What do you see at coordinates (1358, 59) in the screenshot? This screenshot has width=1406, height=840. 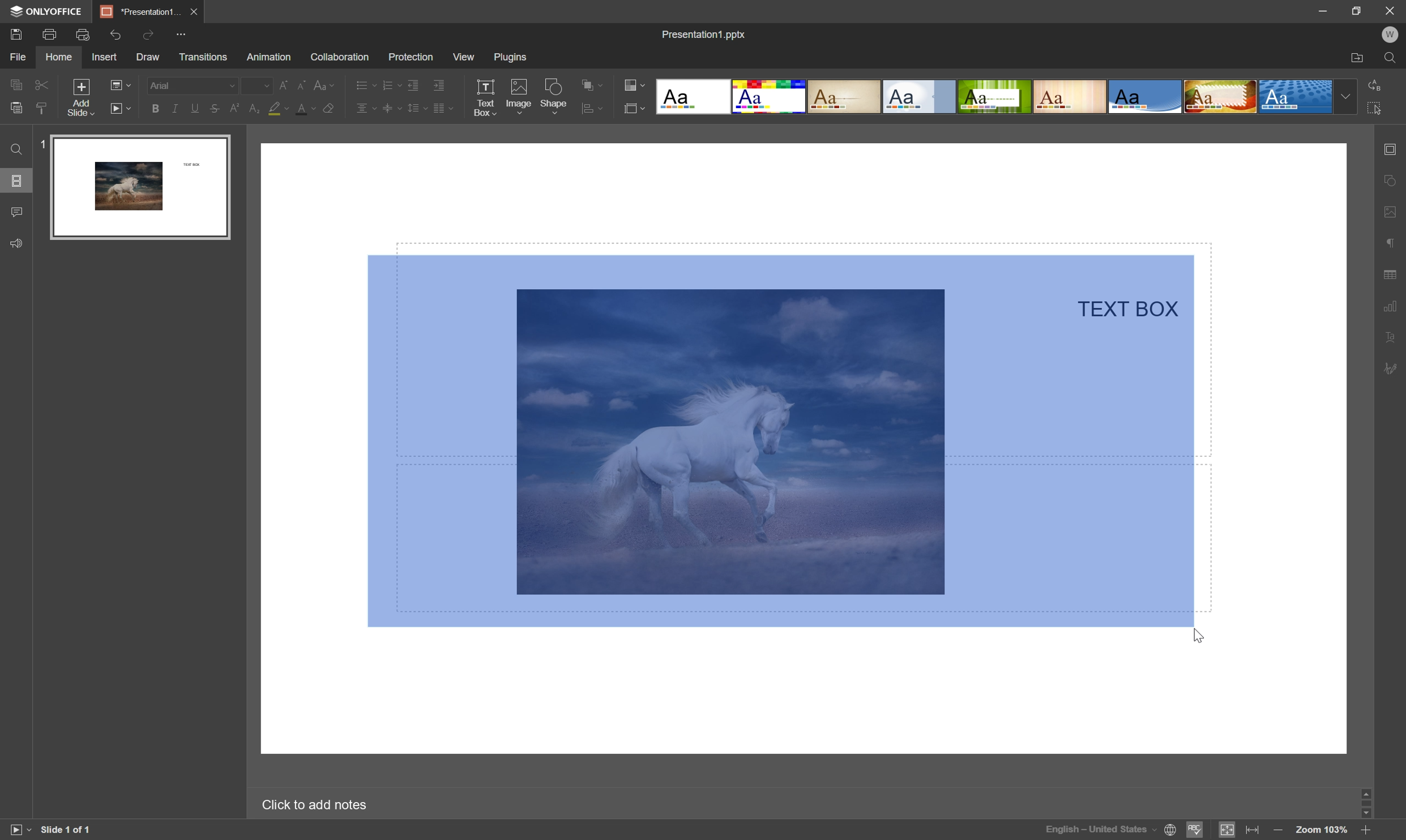 I see `open file location` at bounding box center [1358, 59].